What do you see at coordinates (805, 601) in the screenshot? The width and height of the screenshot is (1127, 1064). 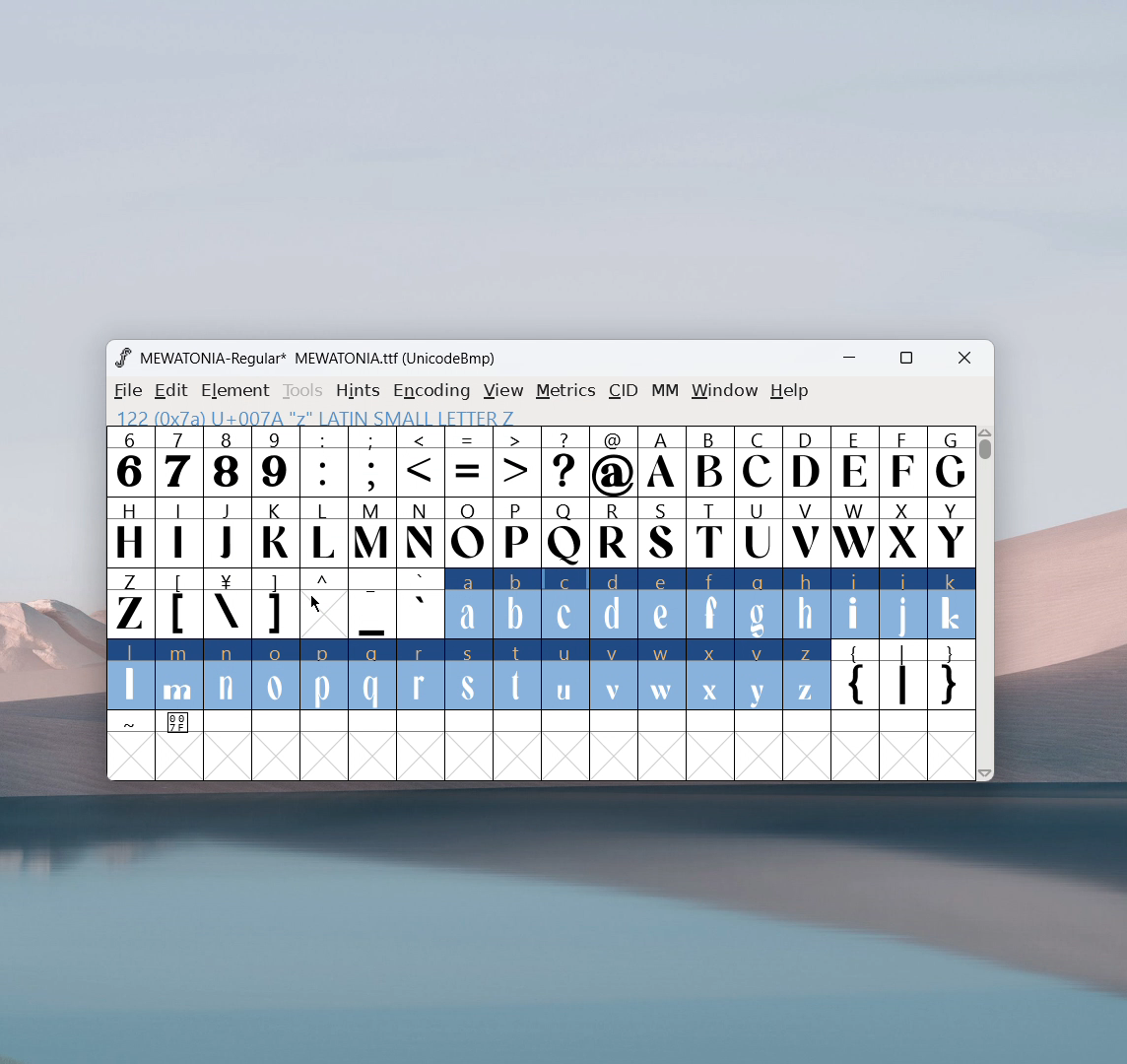 I see `h` at bounding box center [805, 601].